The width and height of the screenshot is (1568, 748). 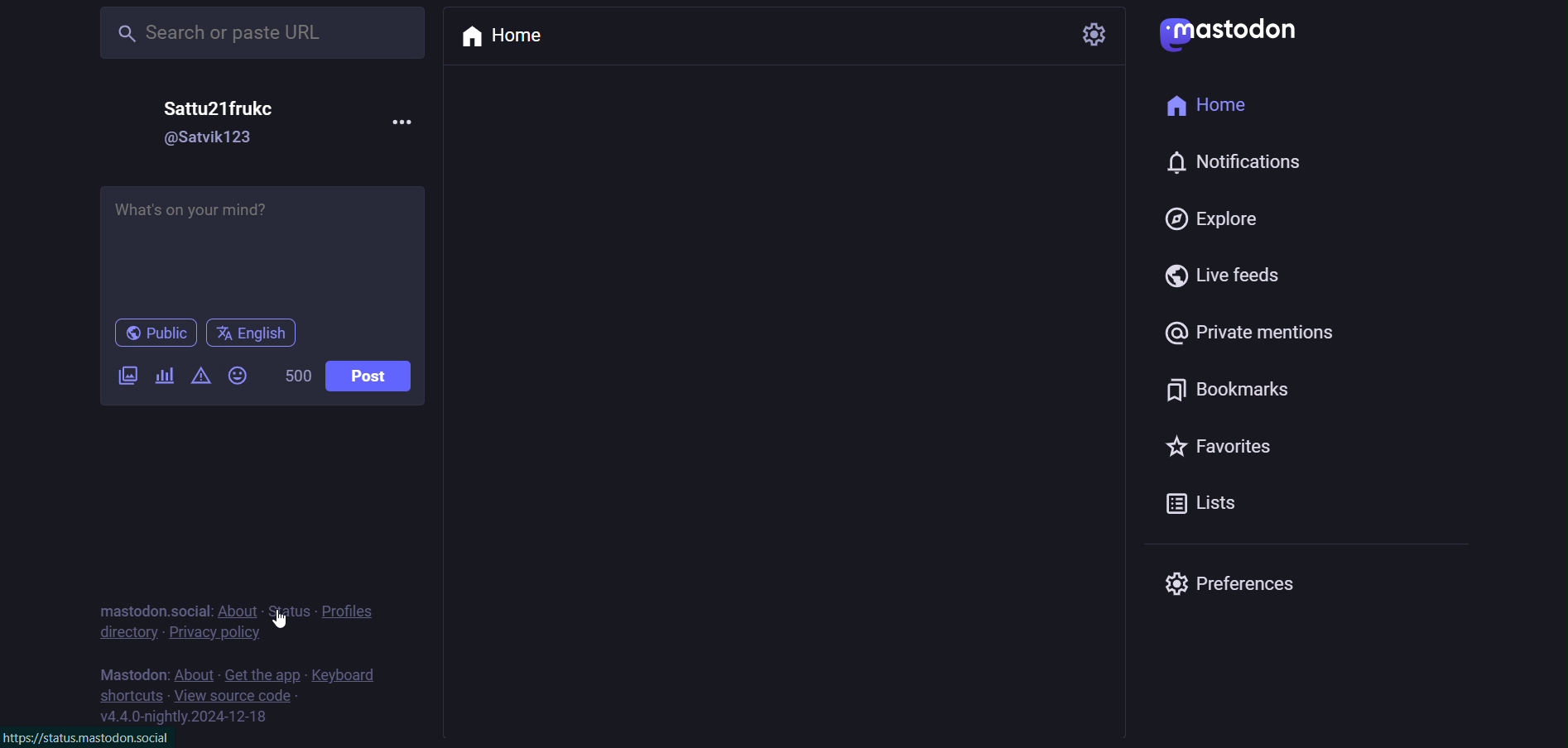 I want to click on poll, so click(x=164, y=378).